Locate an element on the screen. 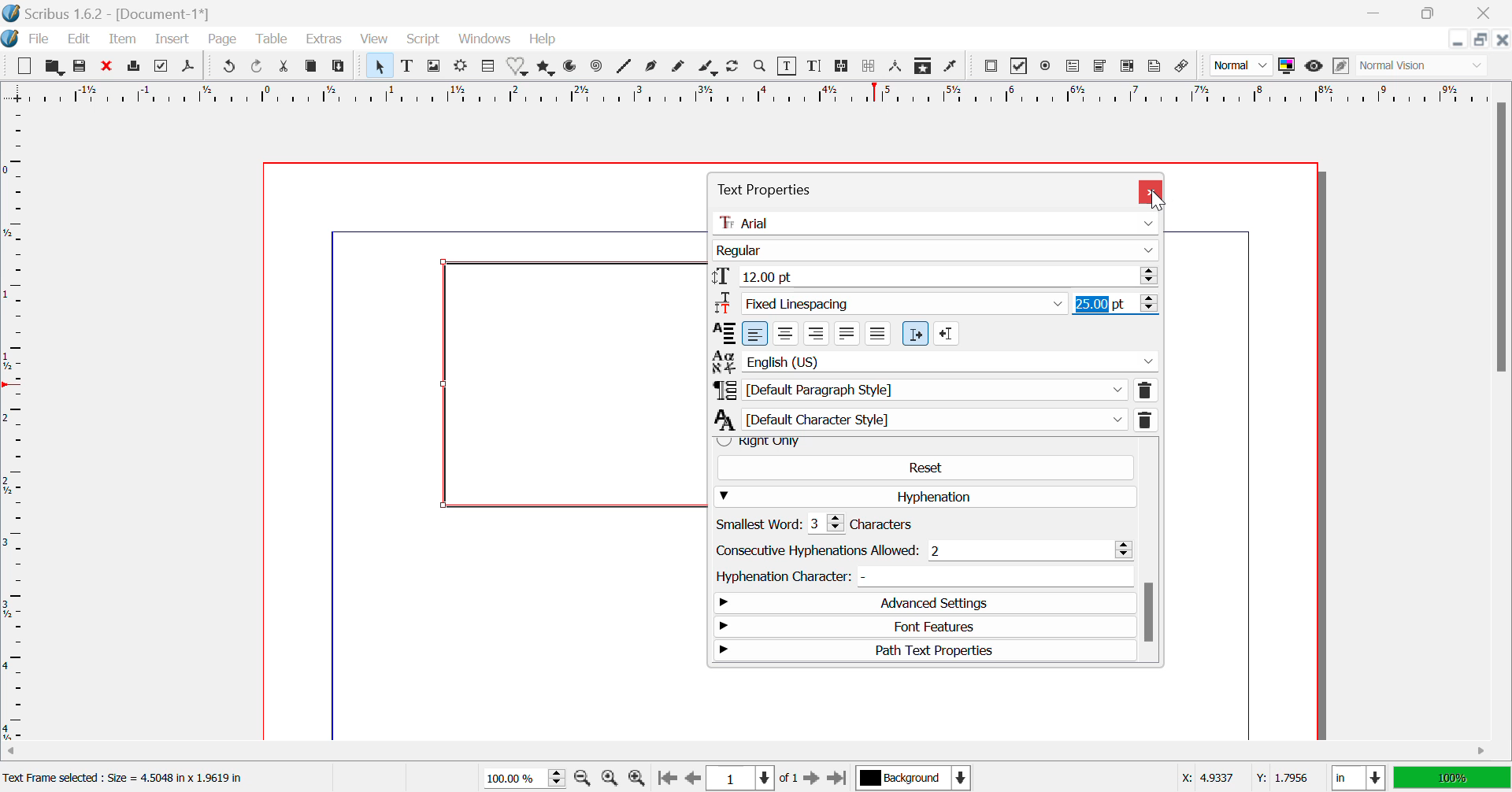 The height and width of the screenshot is (792, 1512). Background is located at coordinates (912, 777).